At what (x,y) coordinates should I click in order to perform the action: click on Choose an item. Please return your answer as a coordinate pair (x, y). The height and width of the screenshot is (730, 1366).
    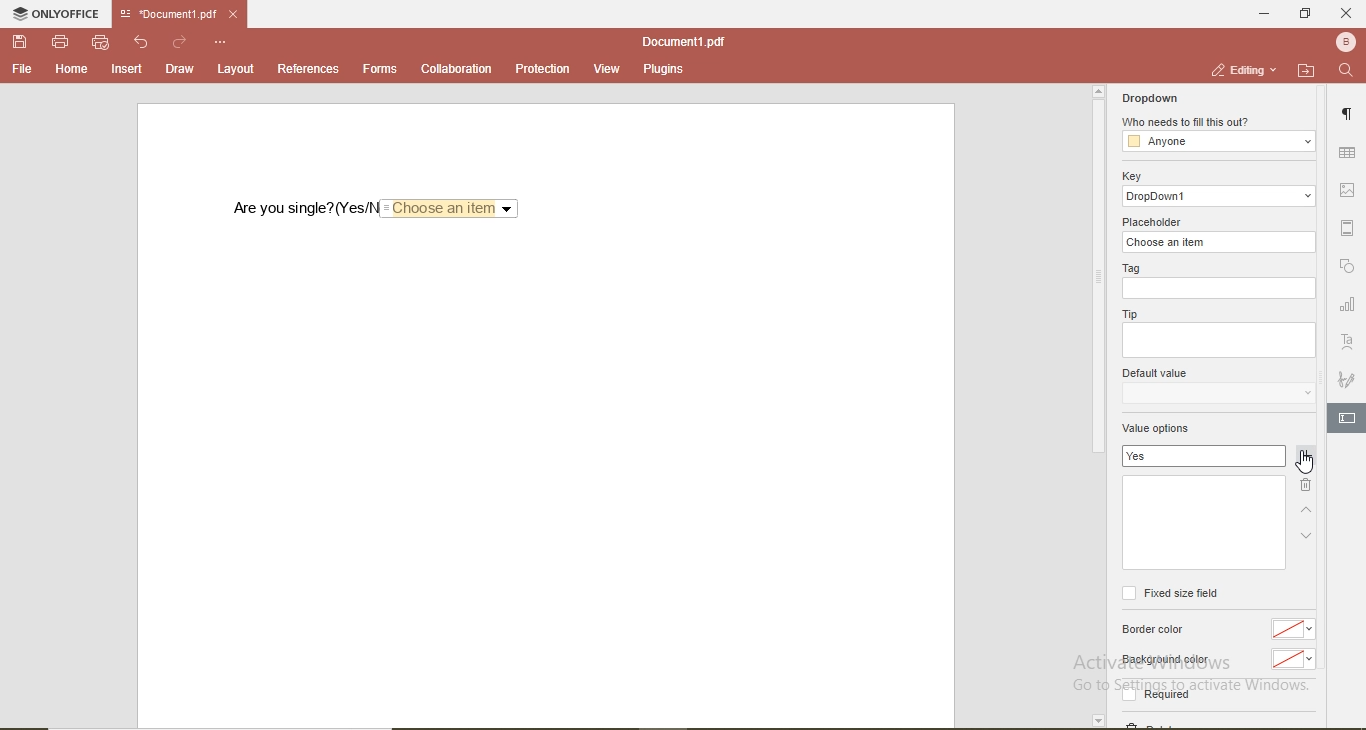
    Looking at the image, I should click on (447, 210).